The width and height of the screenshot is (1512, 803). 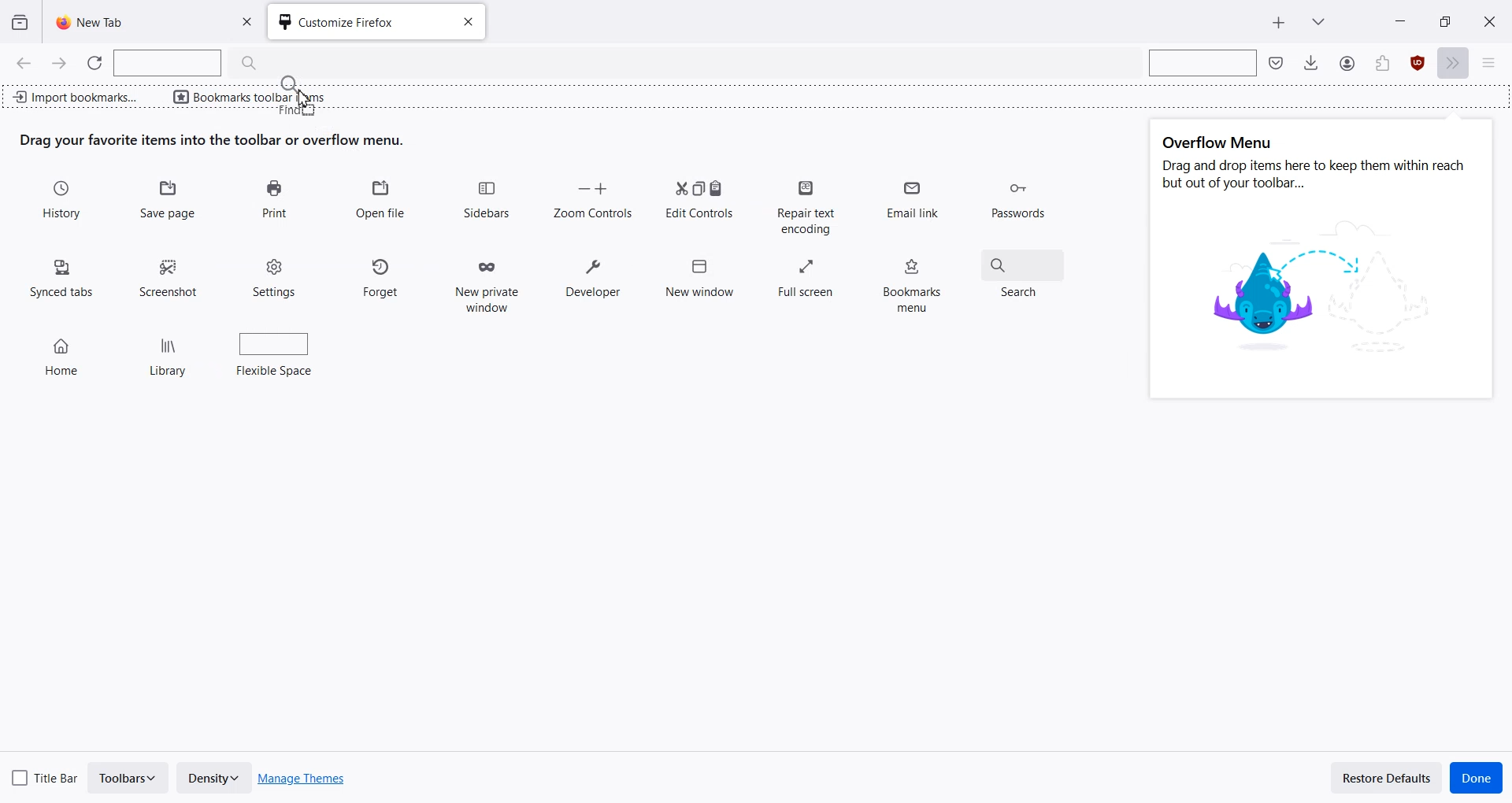 I want to click on Settings, so click(x=276, y=276).